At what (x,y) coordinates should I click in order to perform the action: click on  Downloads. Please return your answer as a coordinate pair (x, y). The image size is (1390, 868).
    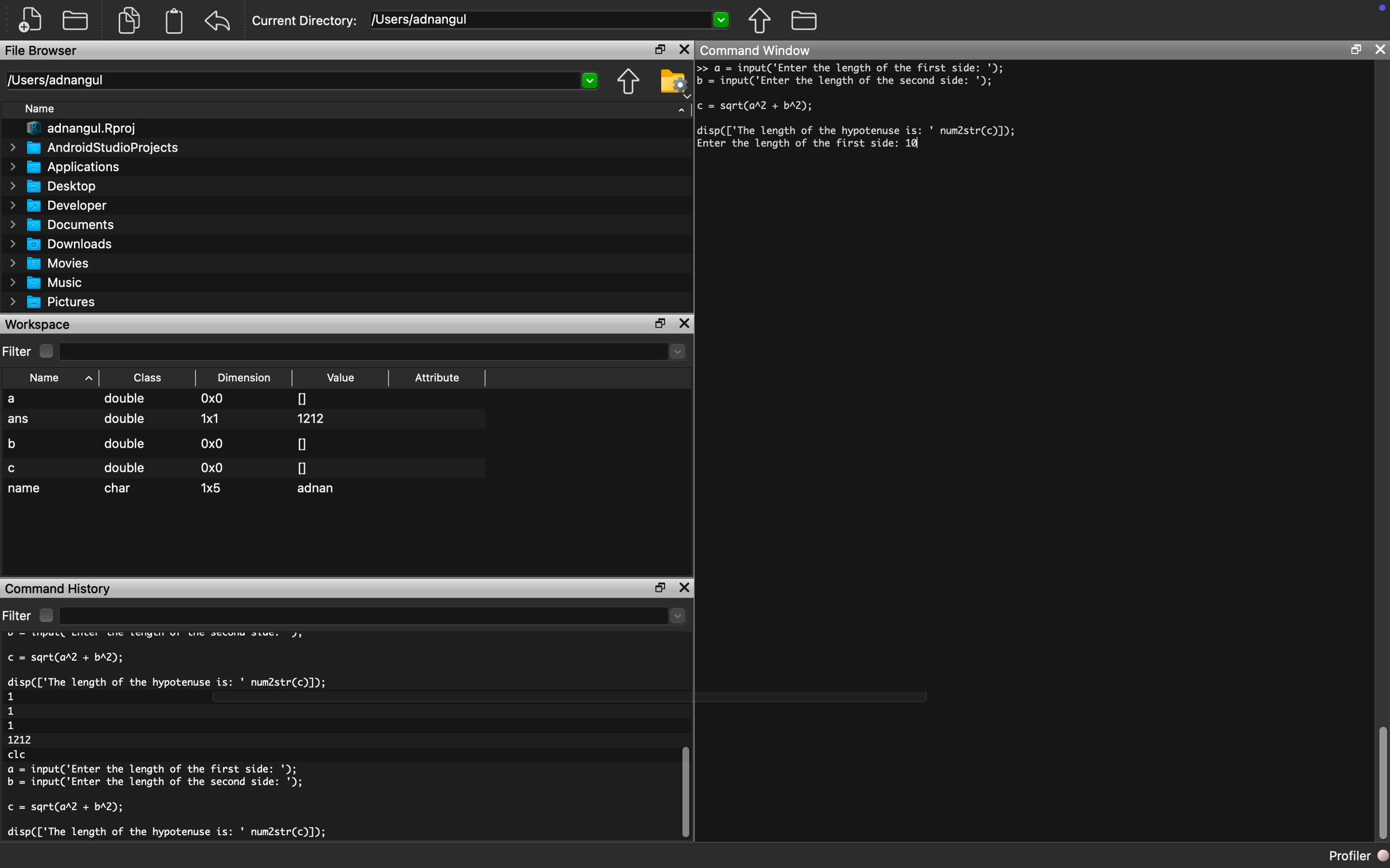
    Looking at the image, I should click on (67, 243).